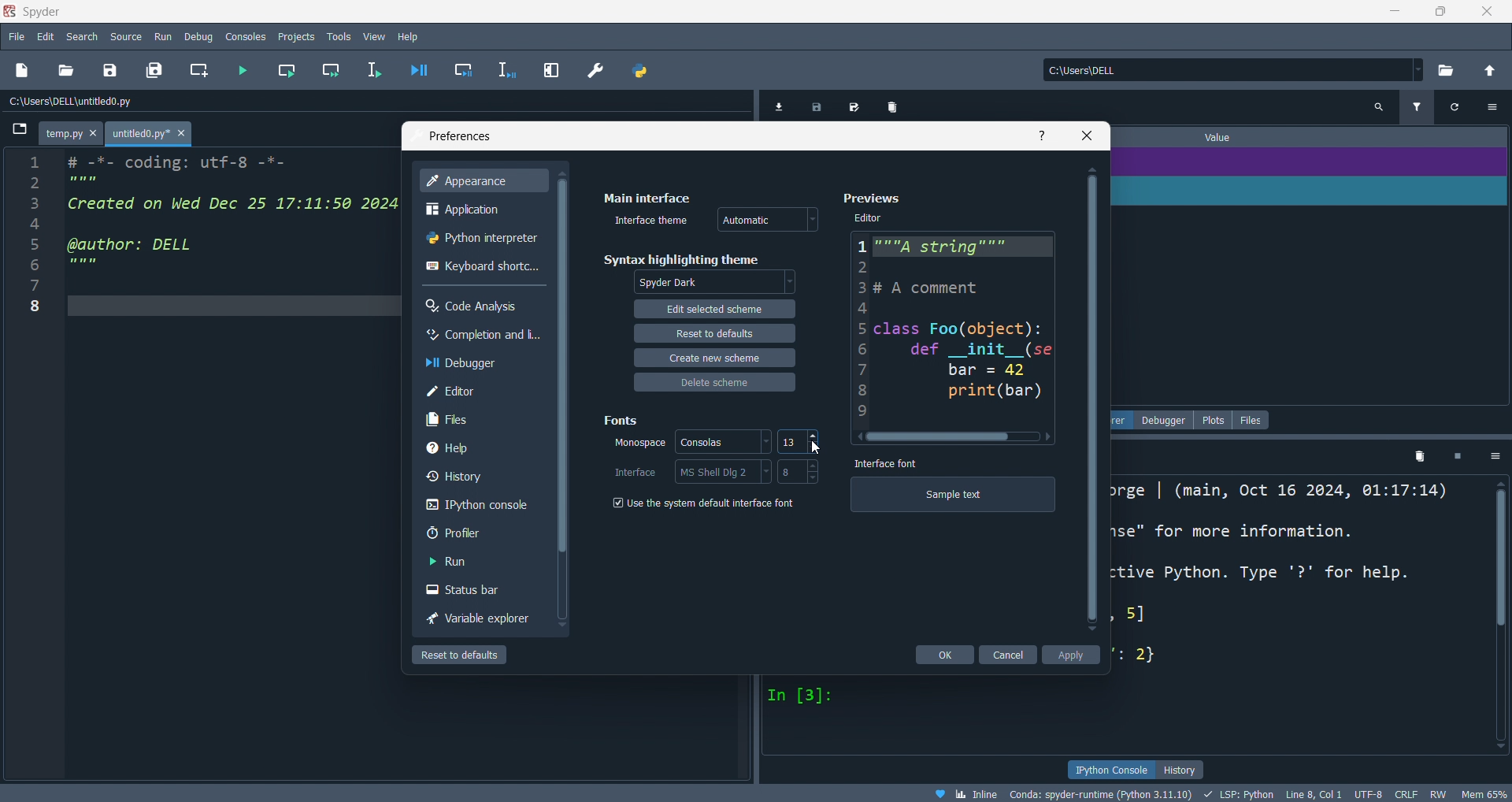 This screenshot has height=802, width=1512. Describe the element at coordinates (1185, 769) in the screenshot. I see `history` at that location.